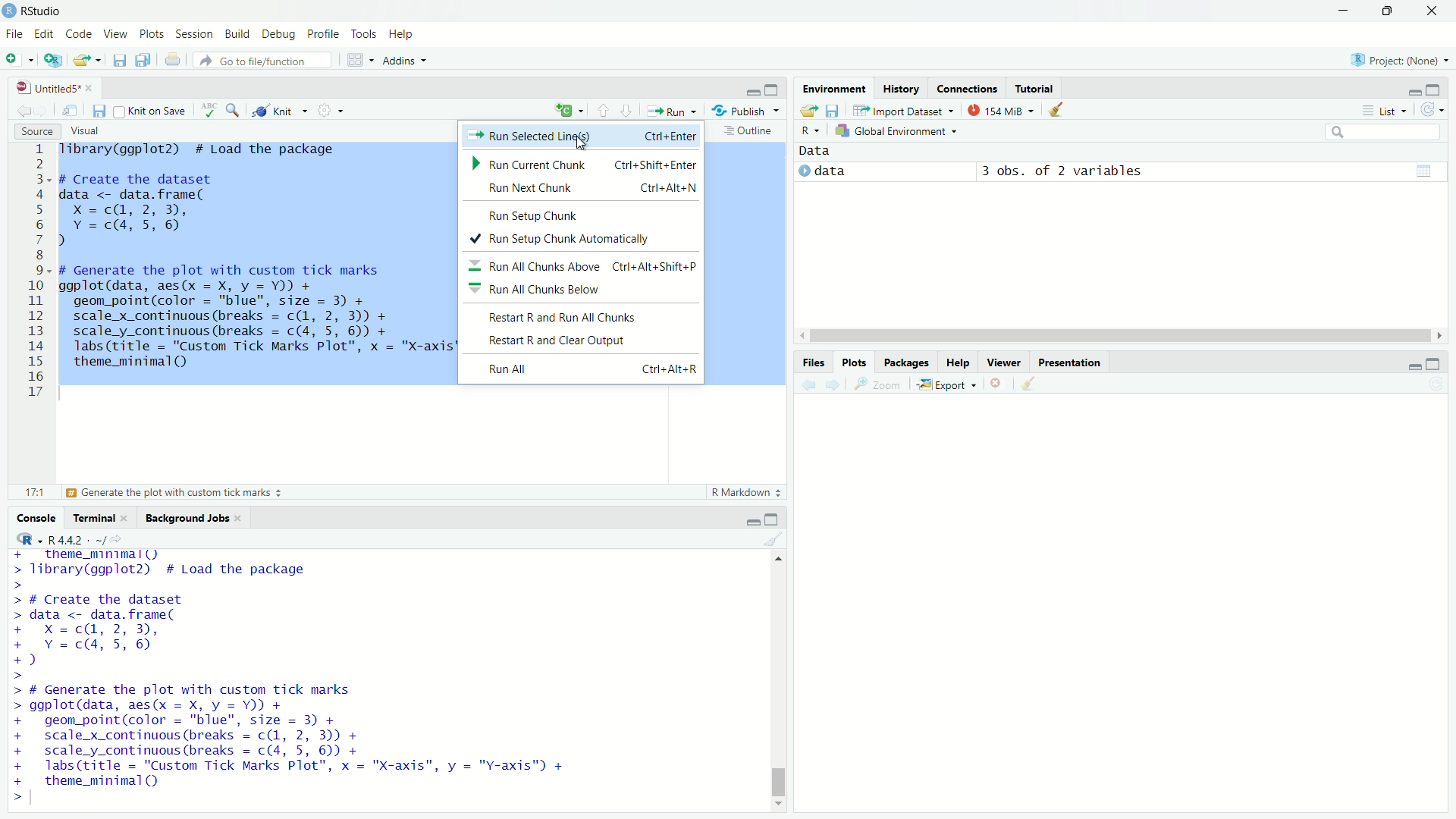 This screenshot has height=819, width=1456. I want to click on close, so click(130, 518).